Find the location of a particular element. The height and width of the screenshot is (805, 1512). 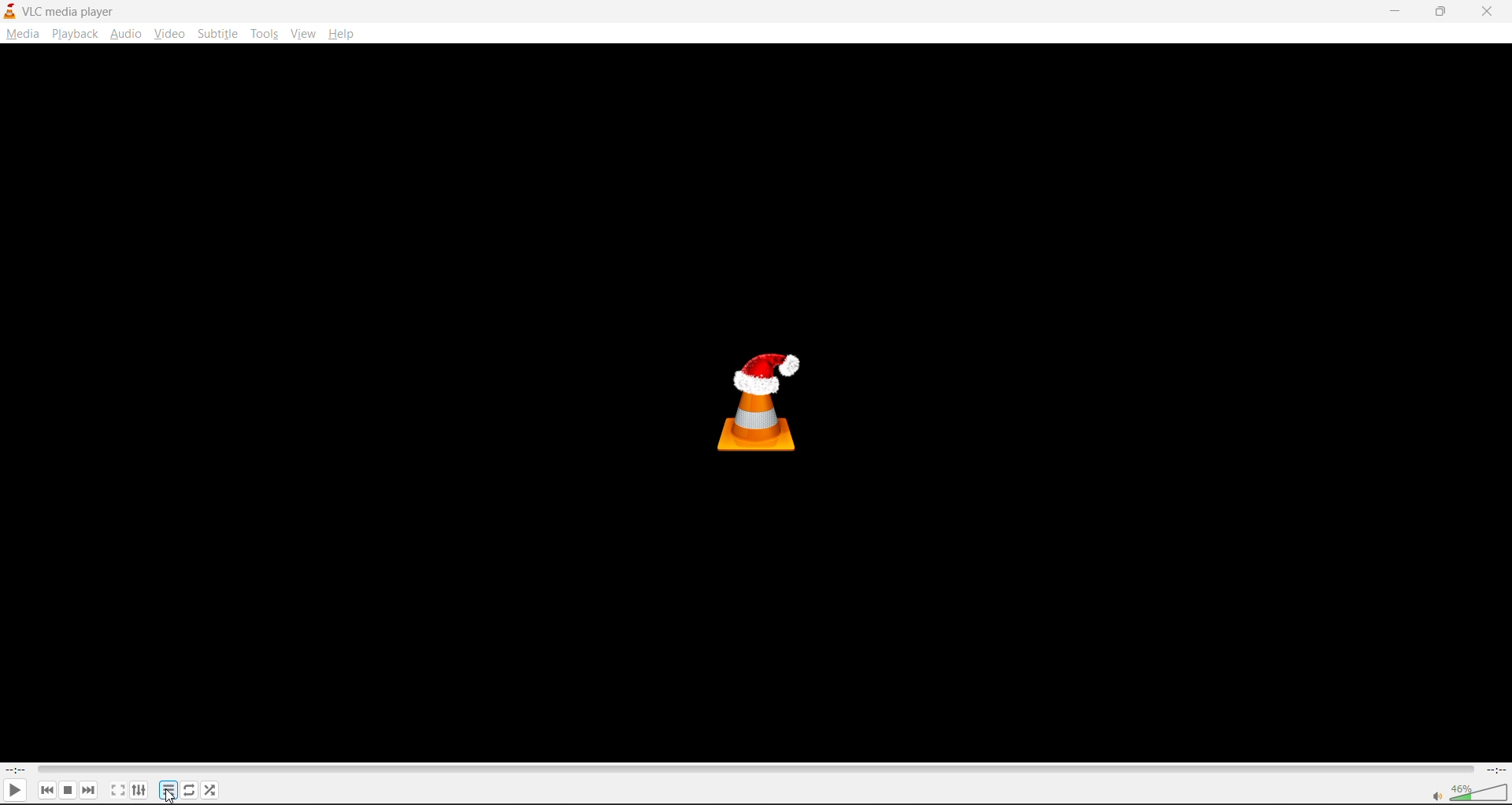

tools is located at coordinates (265, 35).